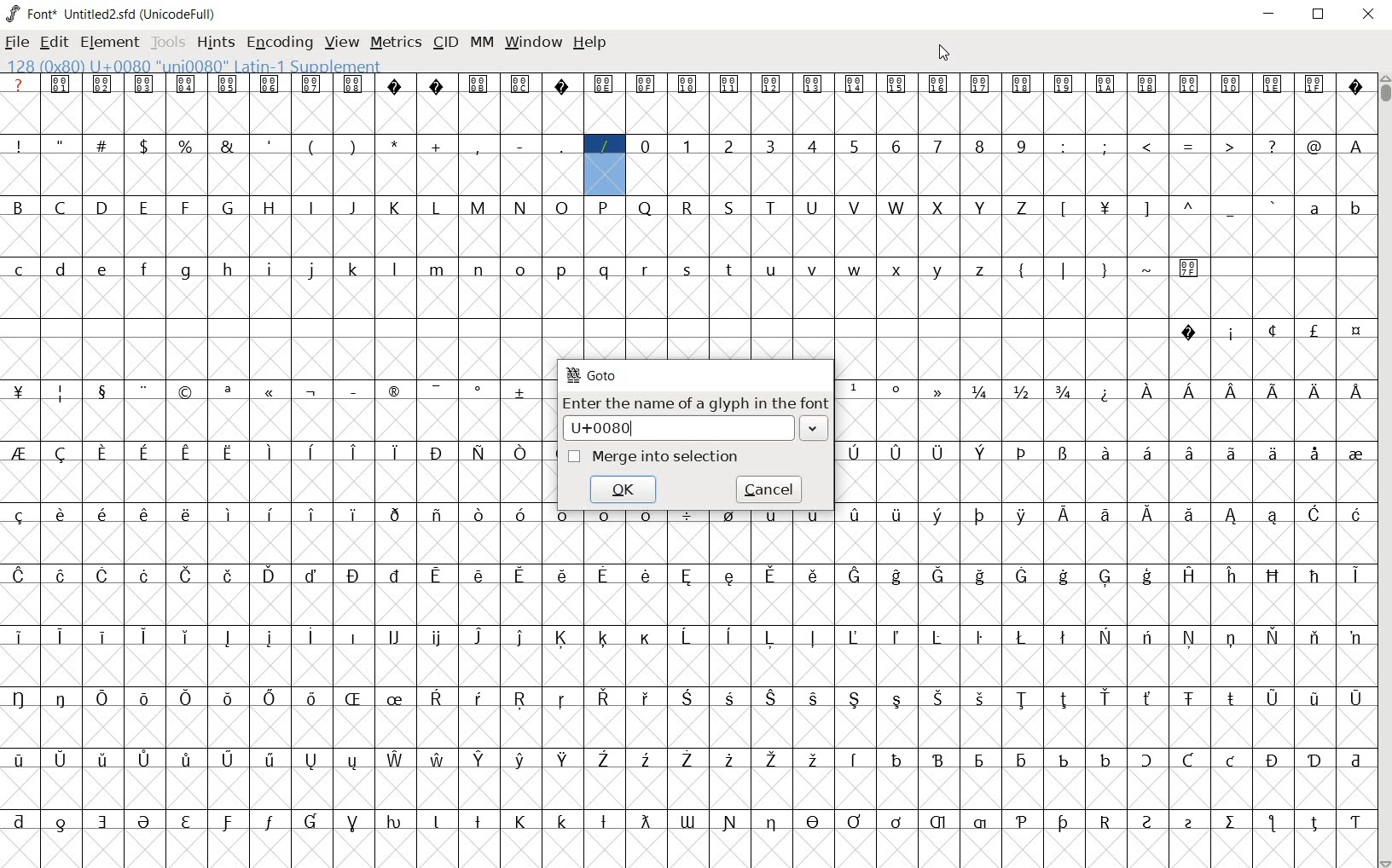 The image size is (1392, 868). I want to click on glyph, so click(520, 147).